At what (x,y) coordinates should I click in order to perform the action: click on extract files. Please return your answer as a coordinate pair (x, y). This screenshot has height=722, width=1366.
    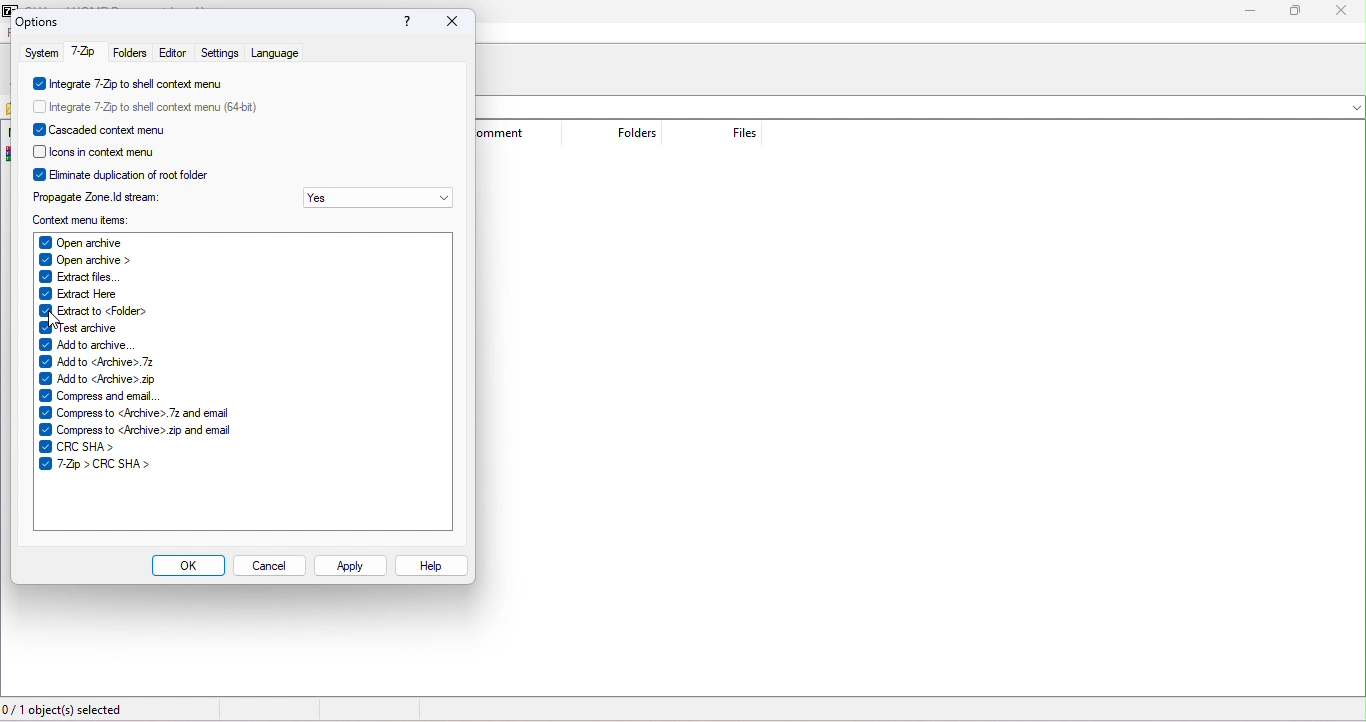
    Looking at the image, I should click on (100, 276).